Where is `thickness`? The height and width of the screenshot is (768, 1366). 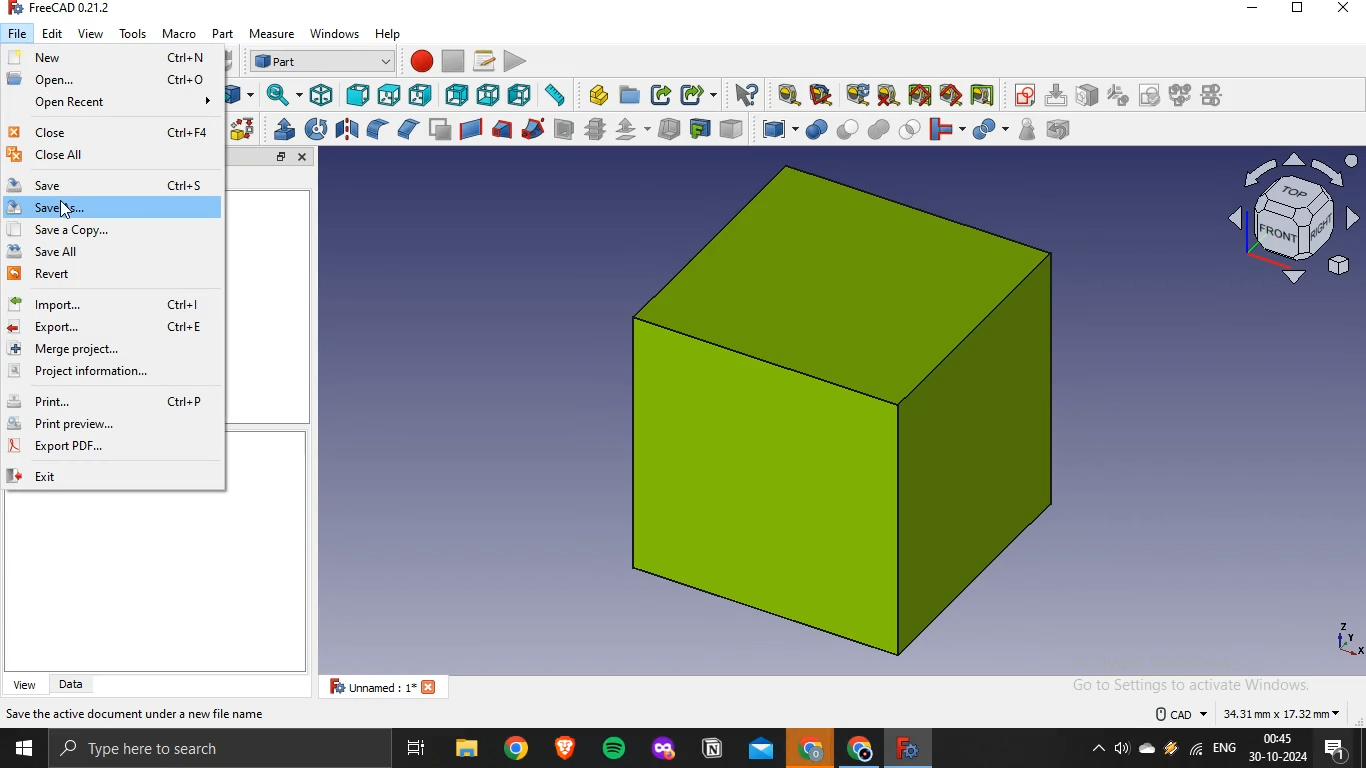 thickness is located at coordinates (667, 130).